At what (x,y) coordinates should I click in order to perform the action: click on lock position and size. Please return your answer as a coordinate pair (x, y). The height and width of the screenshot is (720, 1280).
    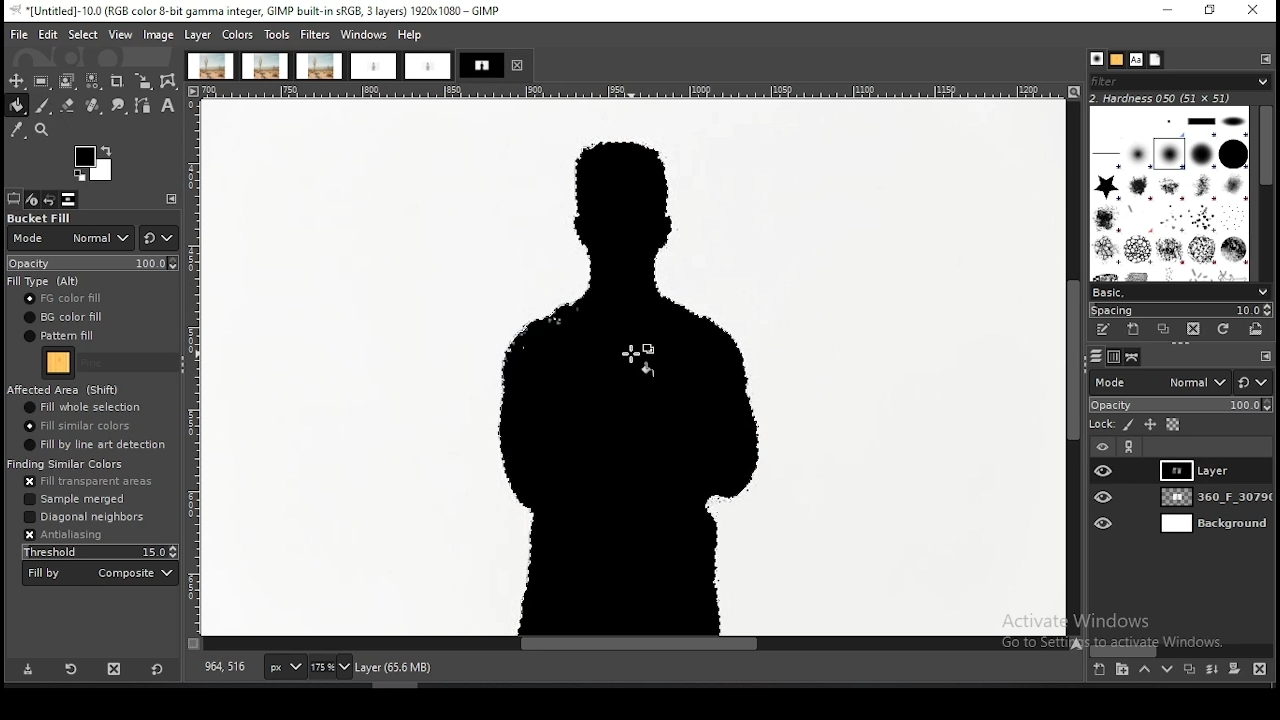
    Looking at the image, I should click on (1149, 426).